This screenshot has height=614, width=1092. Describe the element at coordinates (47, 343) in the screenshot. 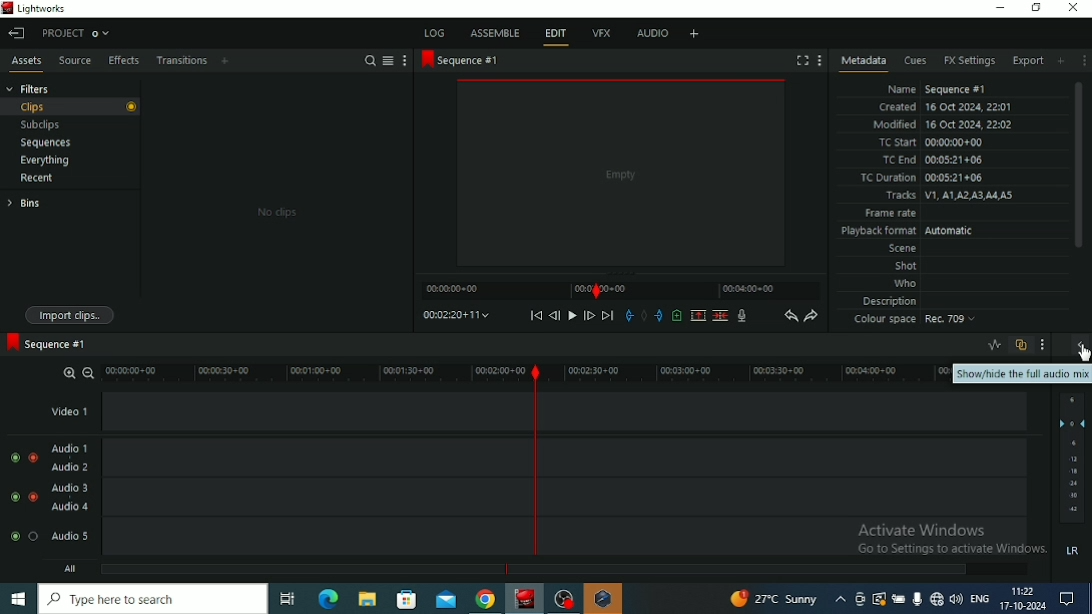

I see `Sequence #1` at that location.